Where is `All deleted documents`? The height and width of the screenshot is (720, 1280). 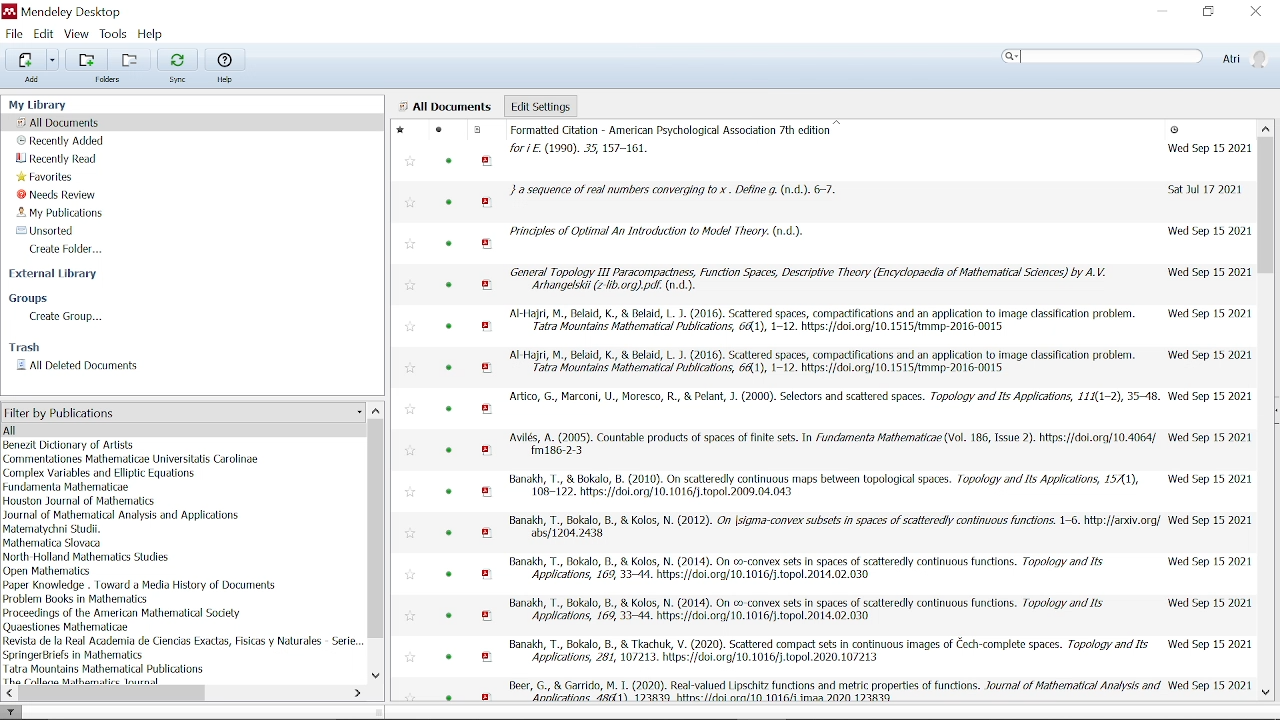 All deleted documents is located at coordinates (78, 366).